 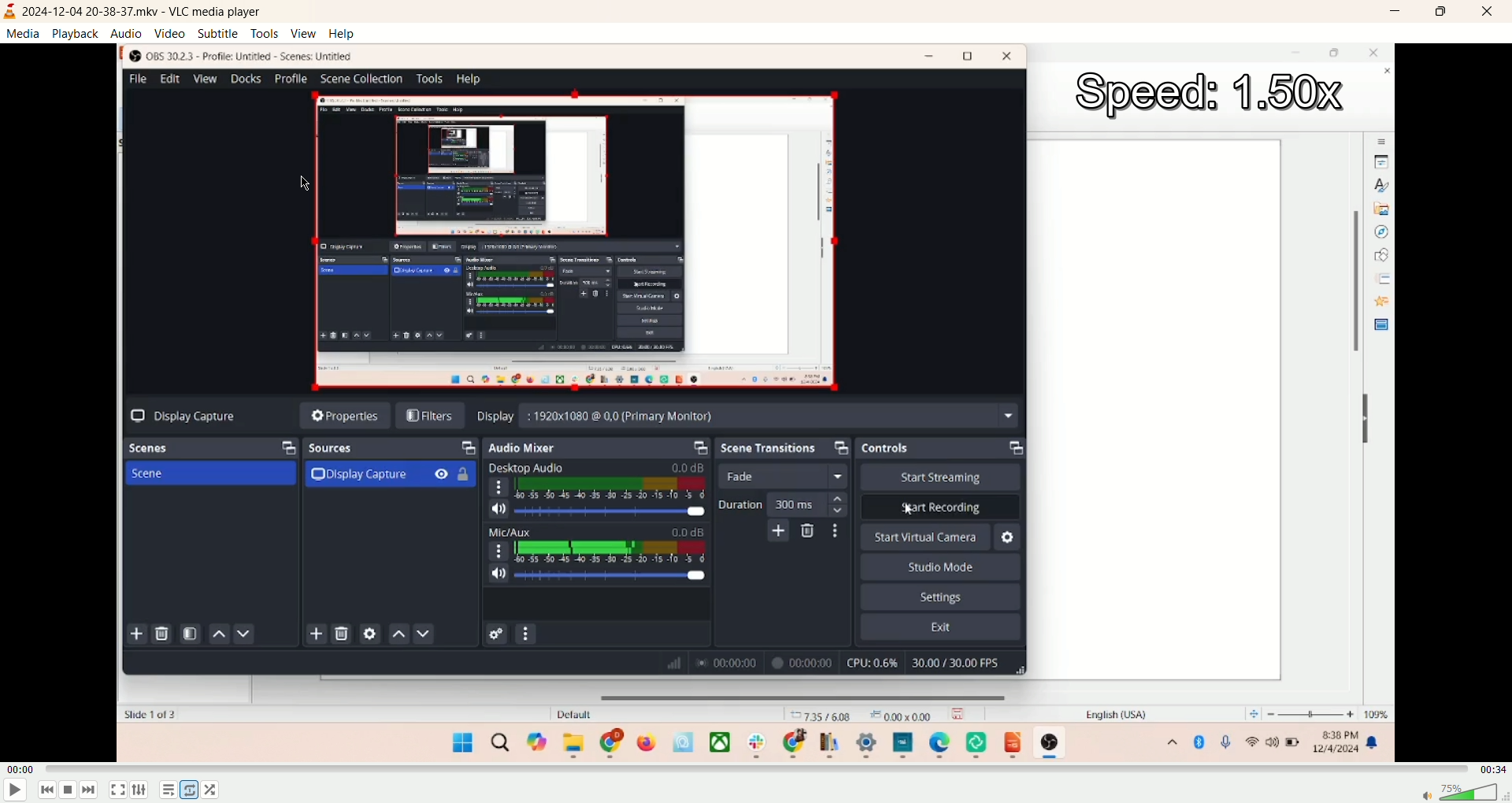 What do you see at coordinates (217, 33) in the screenshot?
I see `subtitle` at bounding box center [217, 33].